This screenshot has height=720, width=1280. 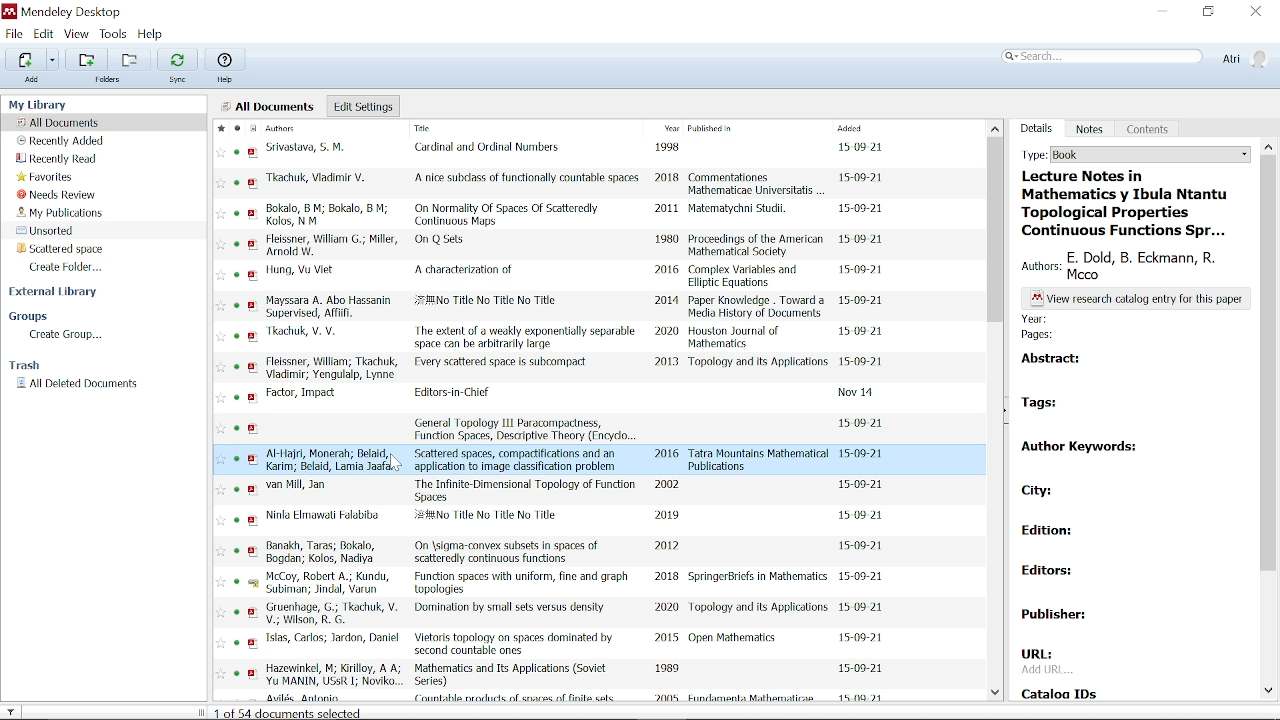 I want to click on 1998, so click(x=670, y=148).